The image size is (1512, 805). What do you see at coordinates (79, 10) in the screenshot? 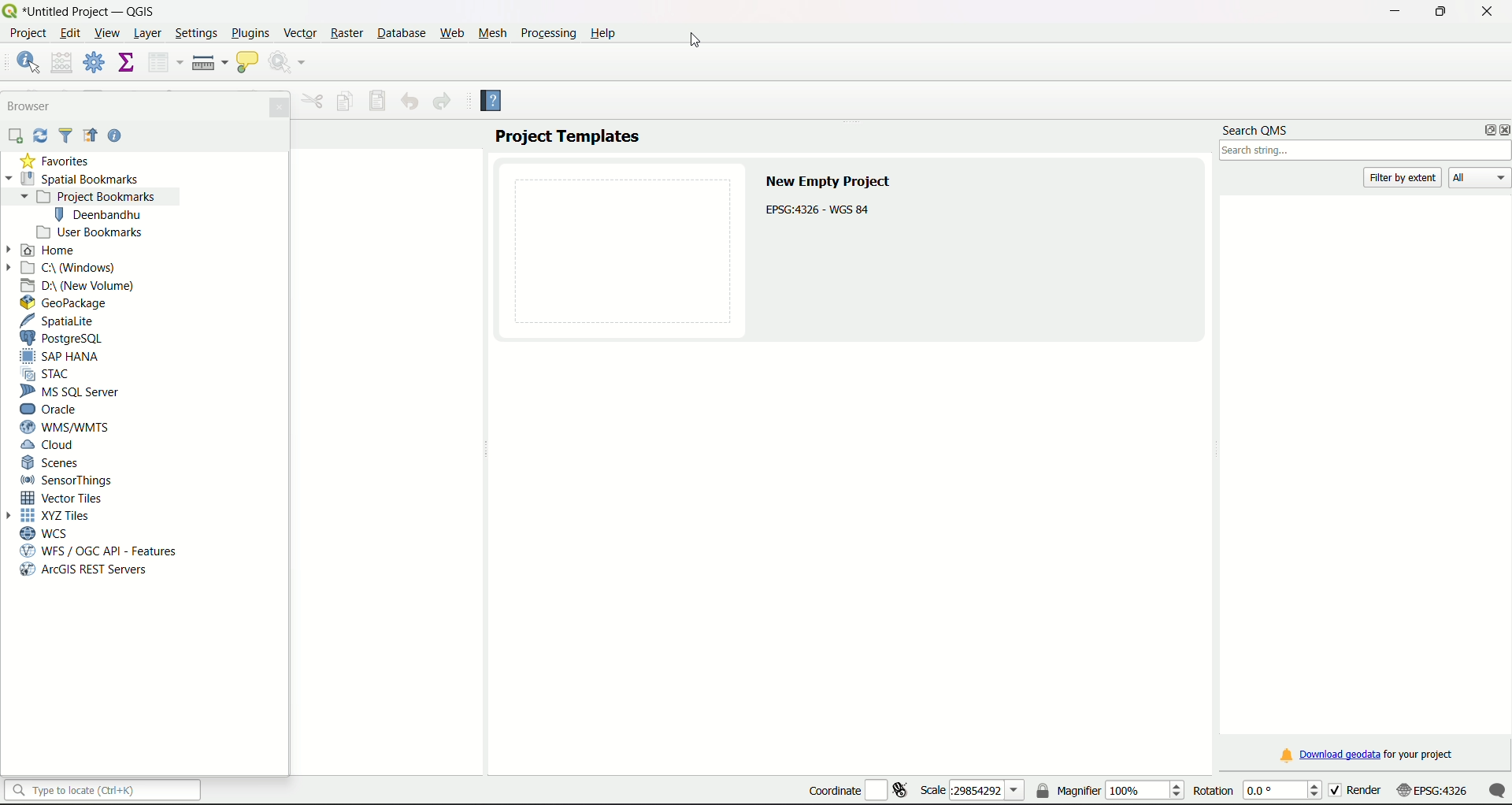
I see `title and logo` at bounding box center [79, 10].